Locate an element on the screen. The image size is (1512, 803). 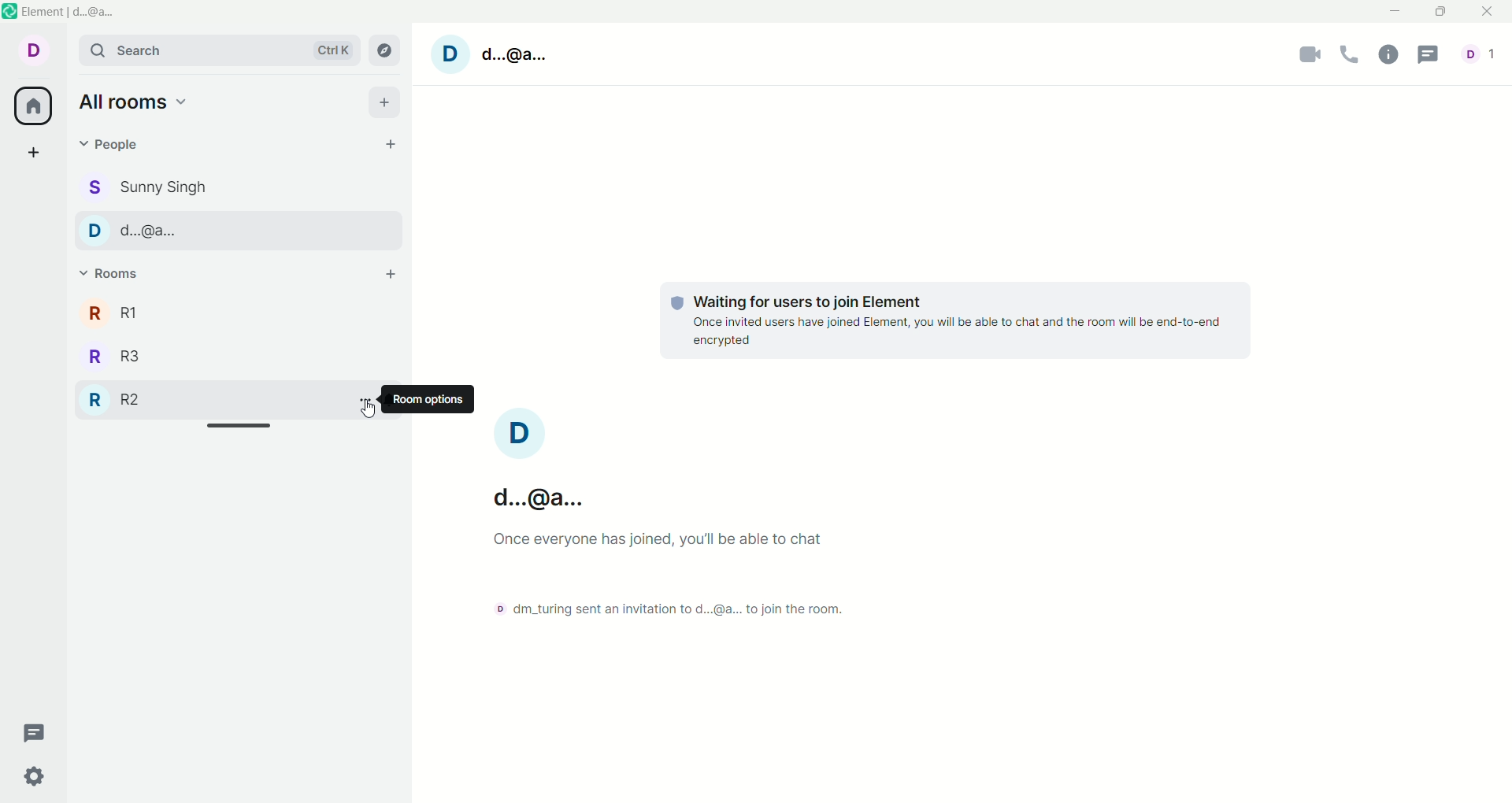
account is located at coordinates (493, 54).